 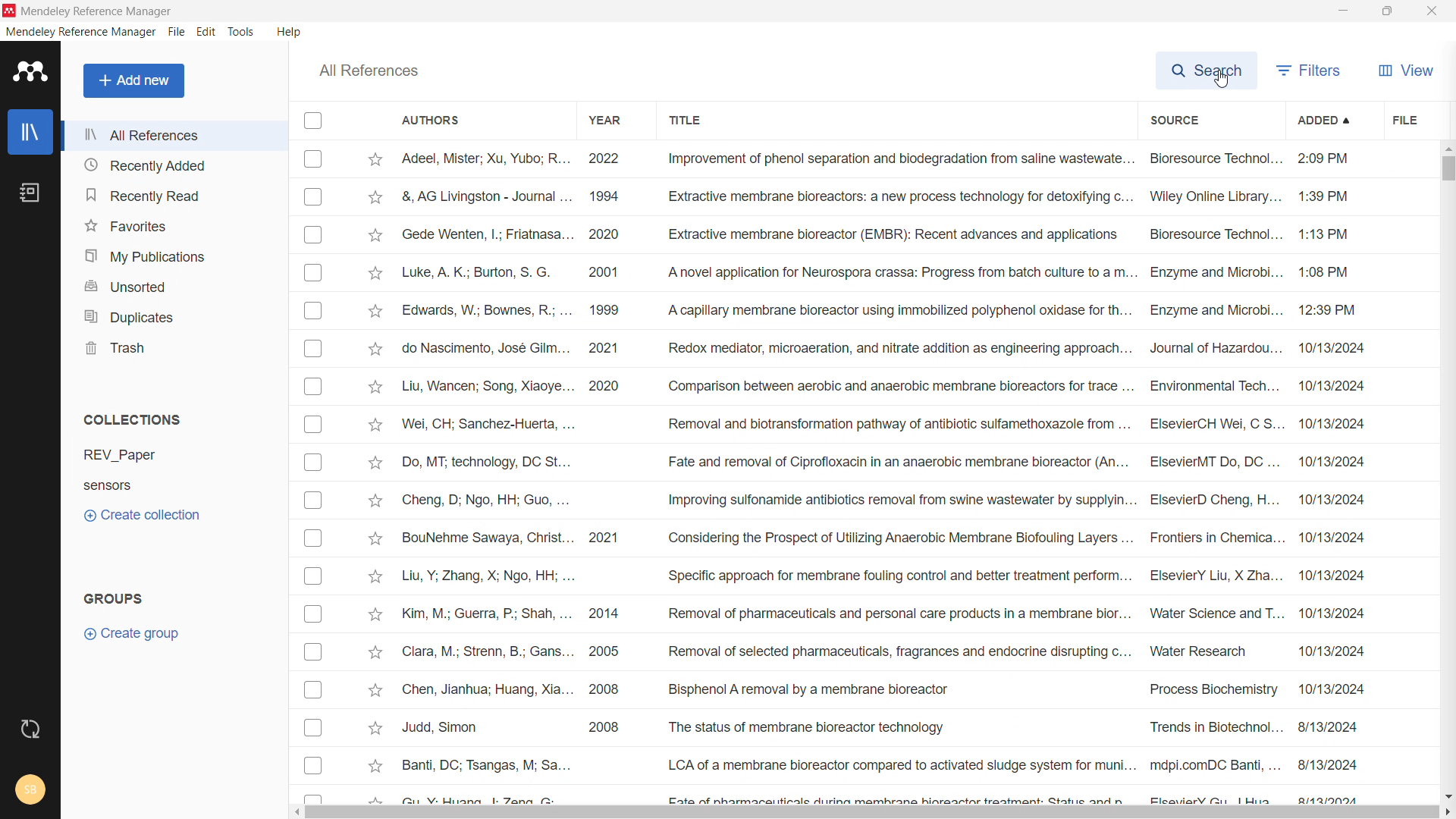 What do you see at coordinates (315, 347) in the screenshot?
I see `Checkbox` at bounding box center [315, 347].